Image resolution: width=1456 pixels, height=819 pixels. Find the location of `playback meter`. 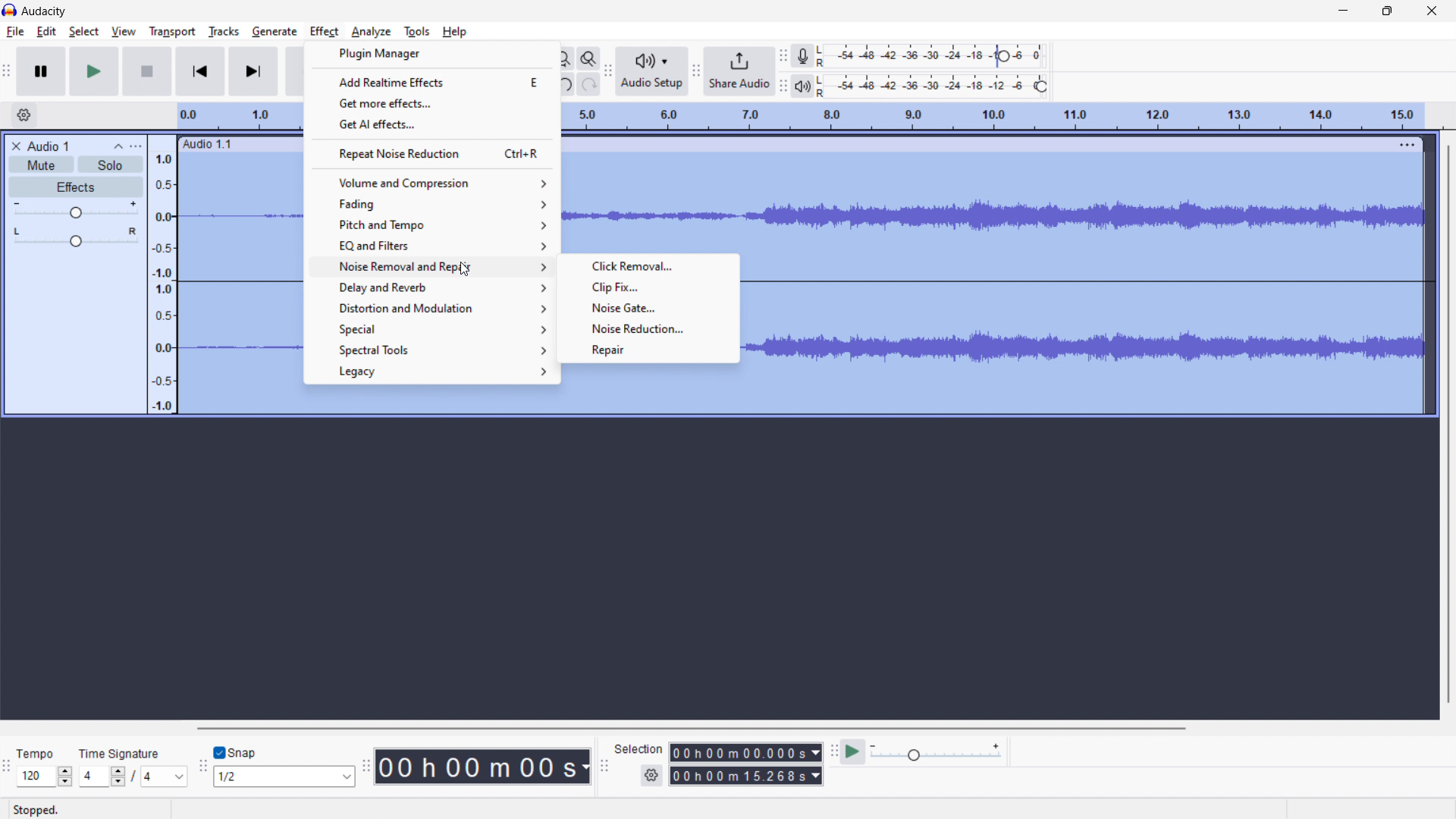

playback meter is located at coordinates (802, 86).